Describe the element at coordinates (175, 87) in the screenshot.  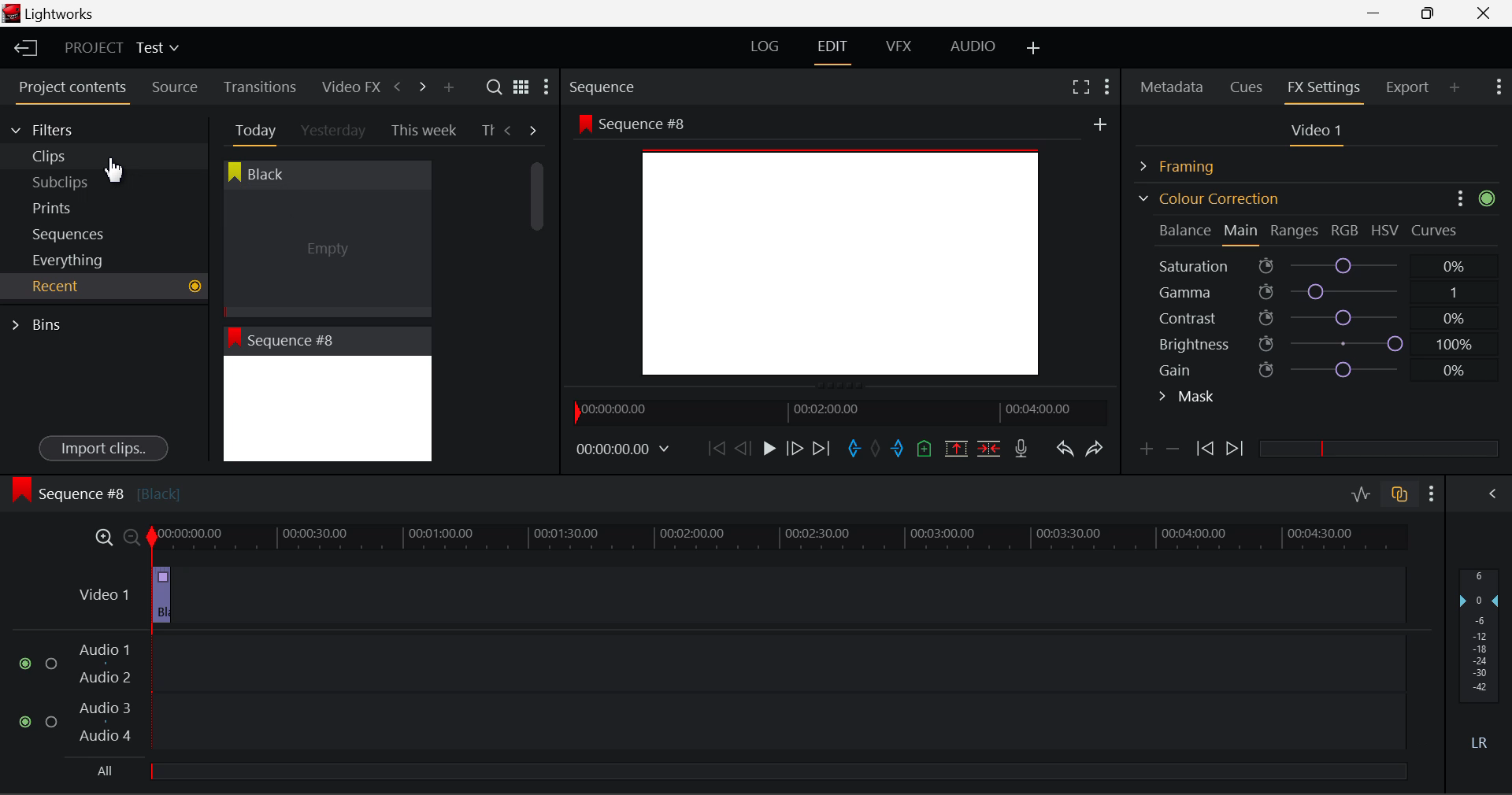
I see `Source` at that location.